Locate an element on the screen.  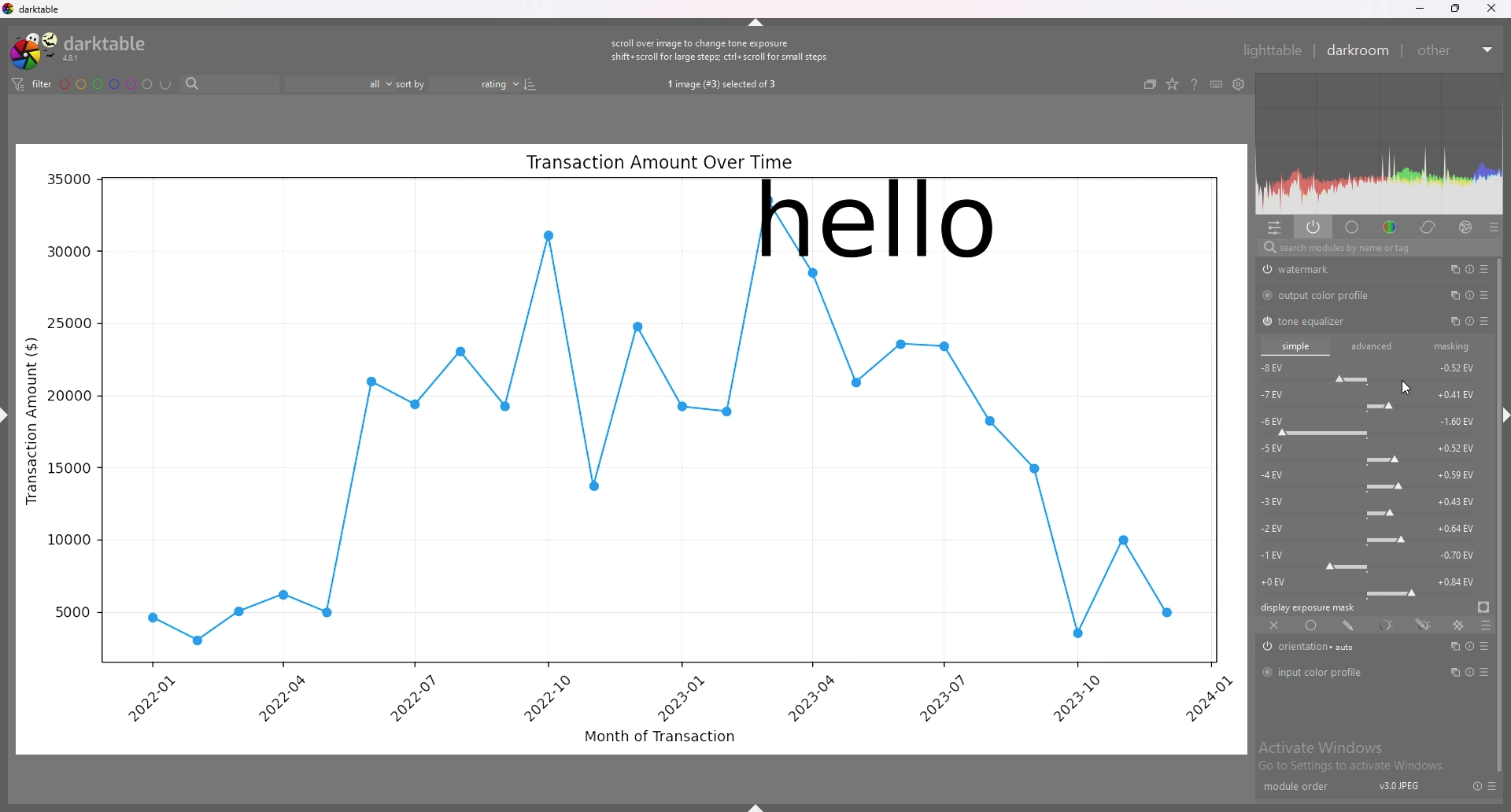
Transaction Amount Over Time is located at coordinates (659, 162).